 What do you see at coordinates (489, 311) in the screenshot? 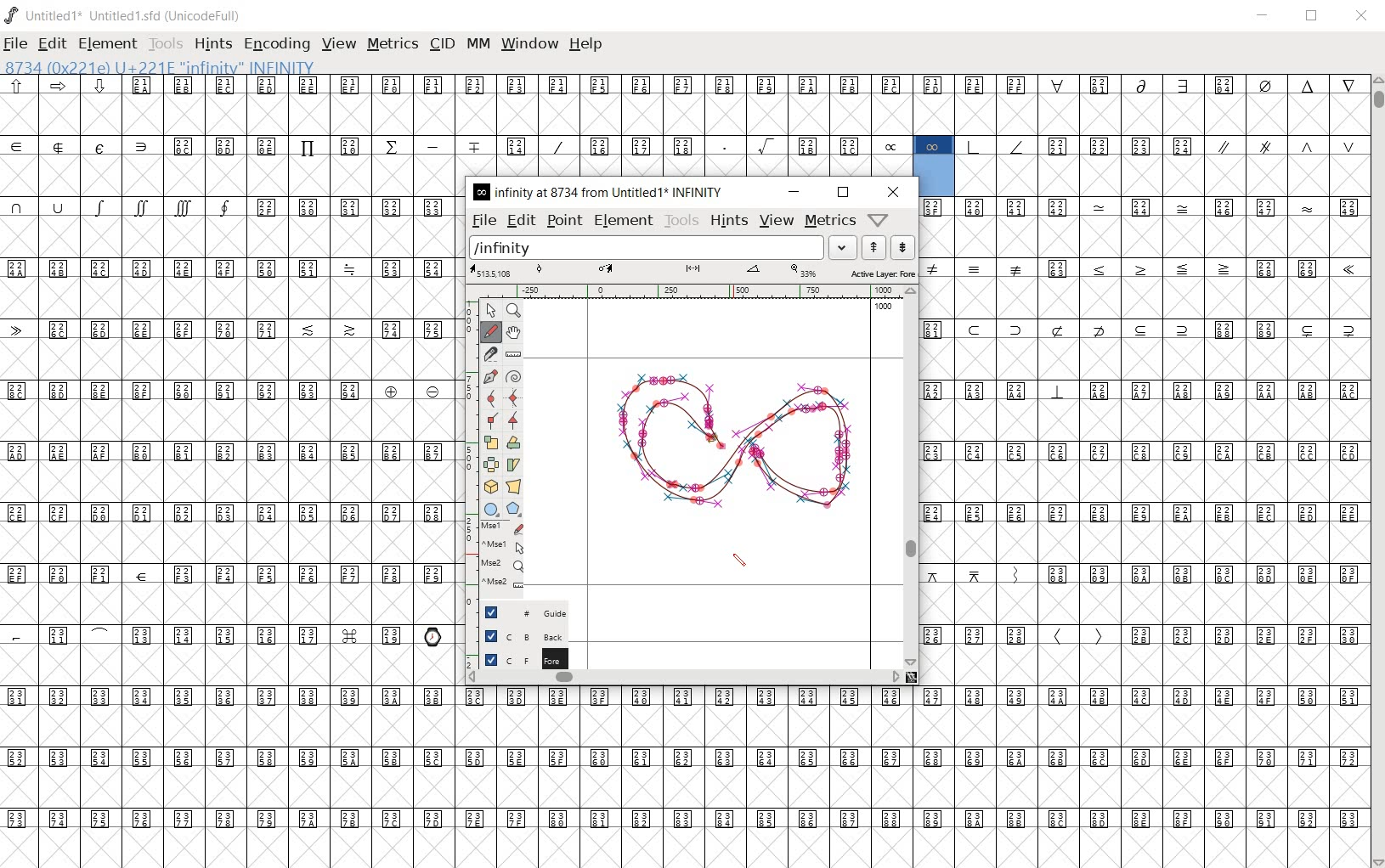
I see `POINTER` at bounding box center [489, 311].